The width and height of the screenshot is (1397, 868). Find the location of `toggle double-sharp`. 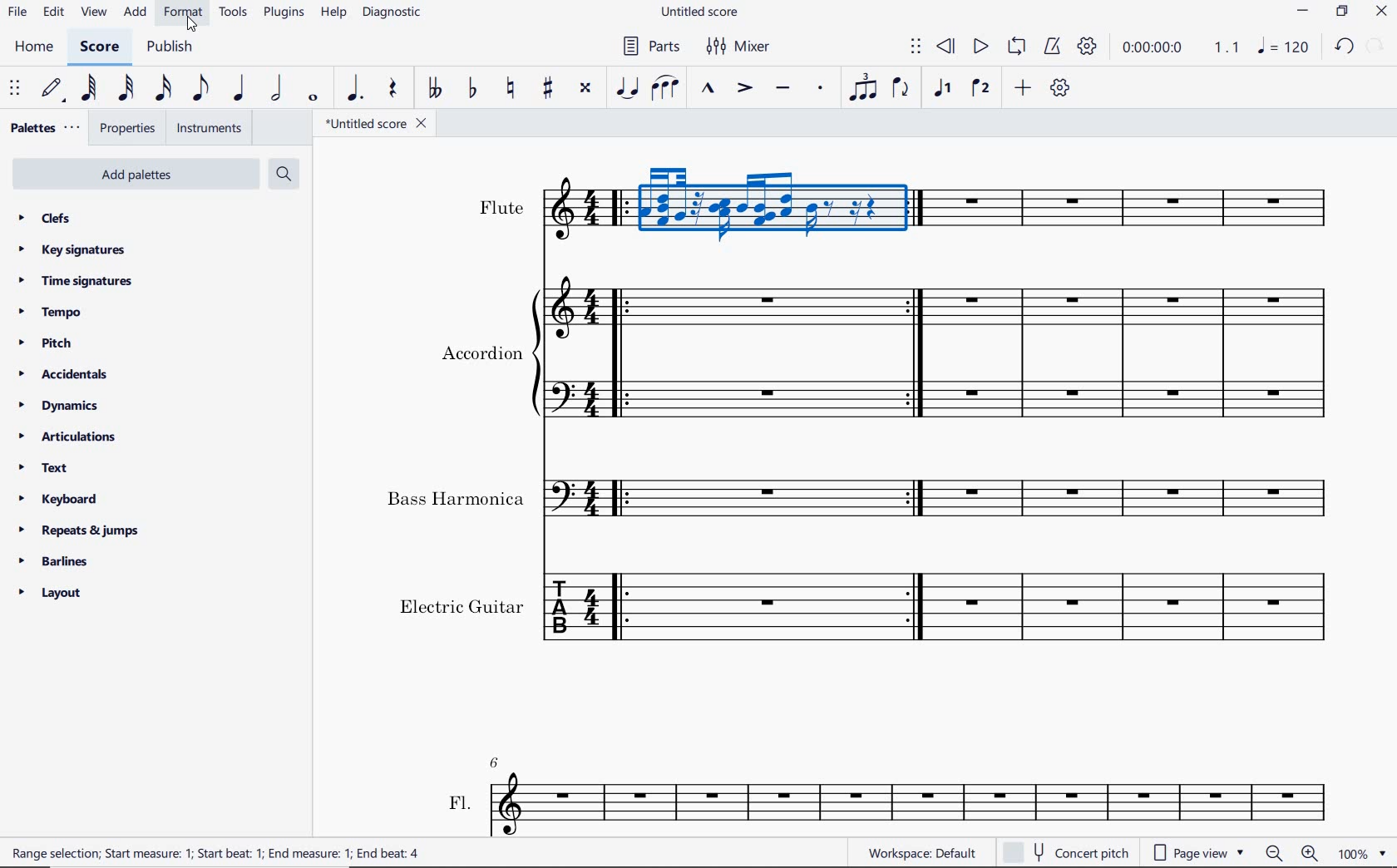

toggle double-sharp is located at coordinates (584, 90).